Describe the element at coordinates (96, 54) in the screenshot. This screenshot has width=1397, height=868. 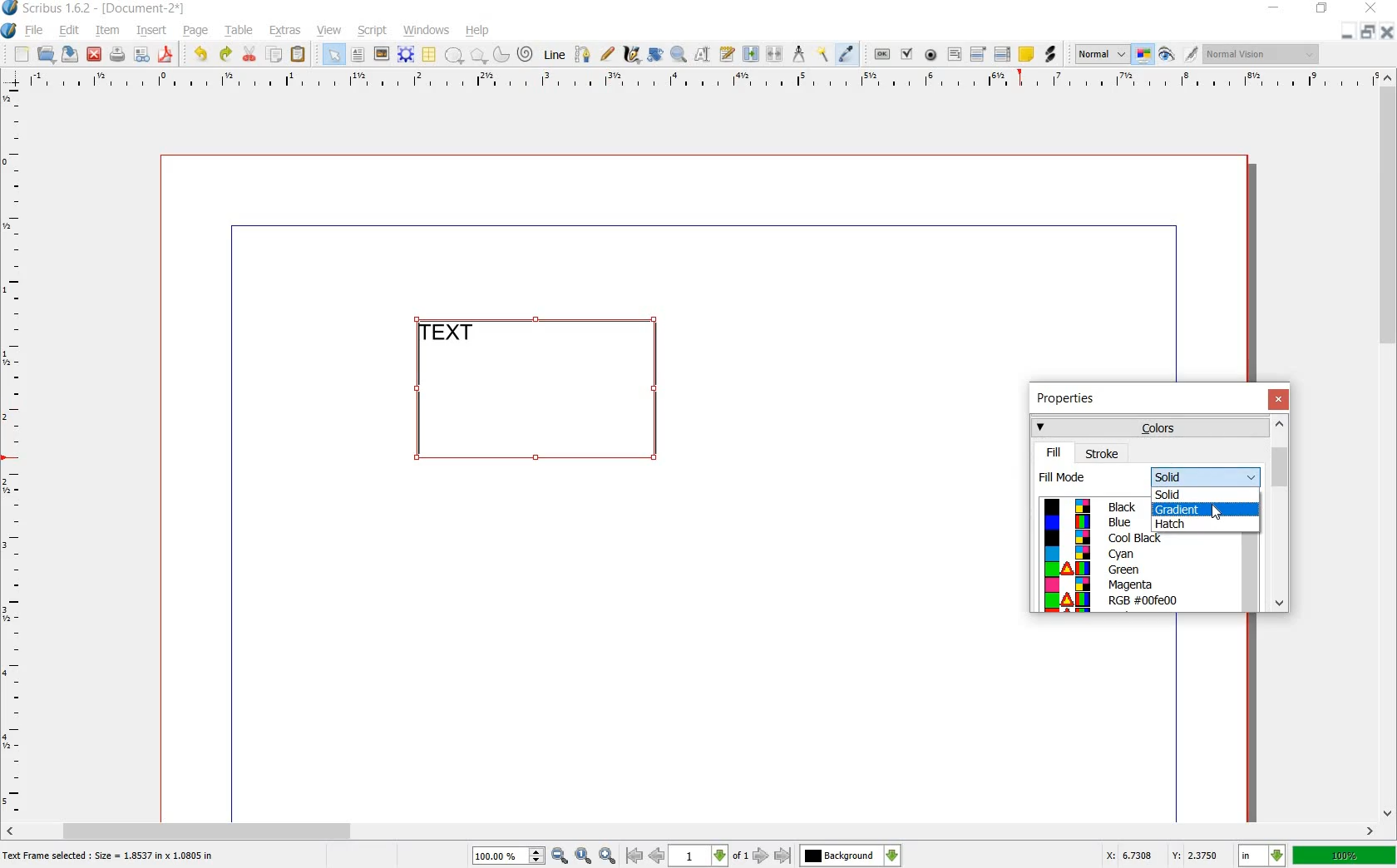
I see `close` at that location.